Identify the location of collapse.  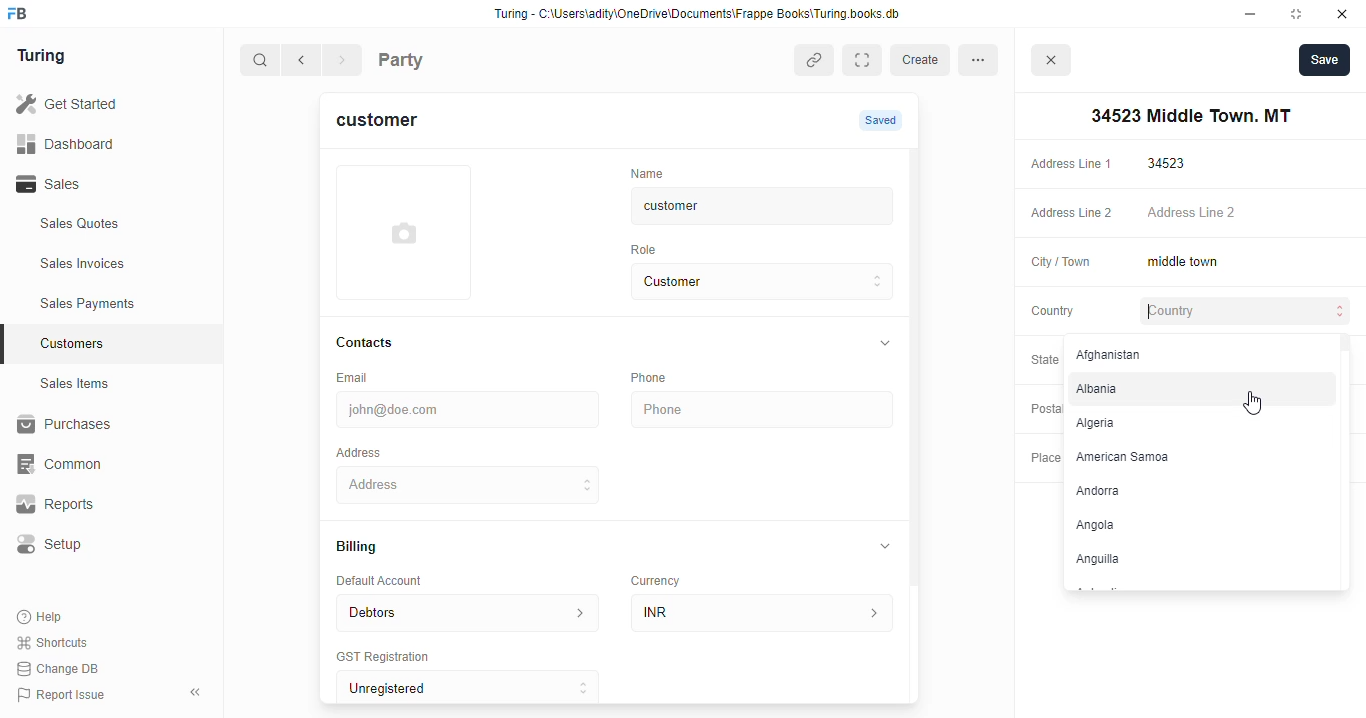
(886, 545).